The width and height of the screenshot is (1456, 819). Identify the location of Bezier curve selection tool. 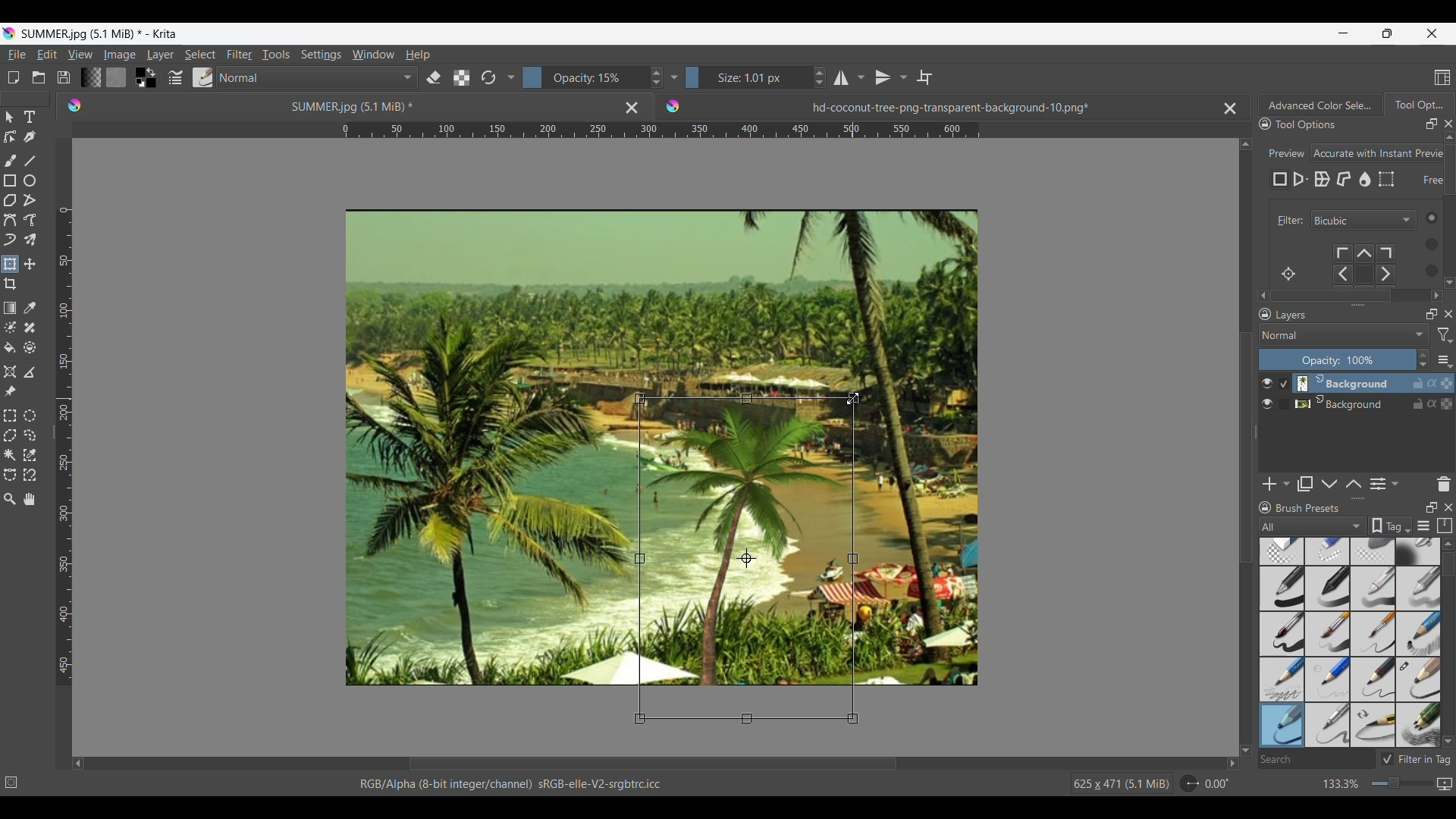
(10, 474).